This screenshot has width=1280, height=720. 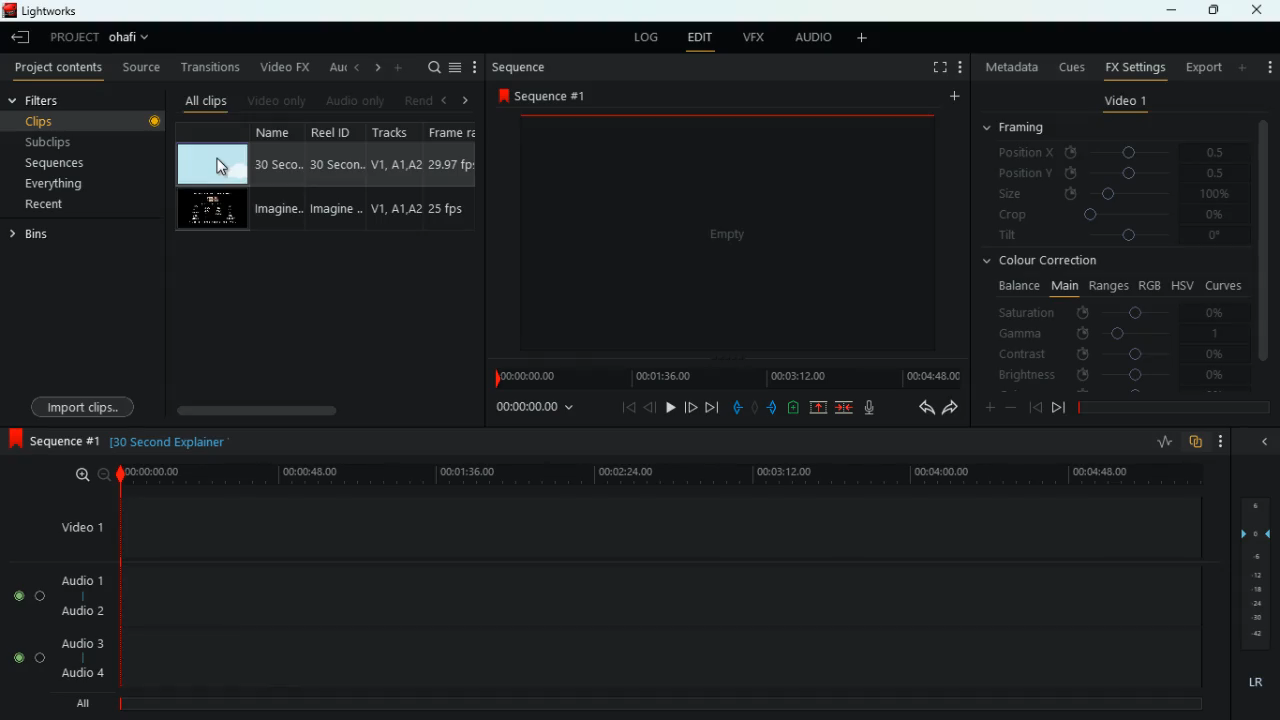 What do you see at coordinates (863, 39) in the screenshot?
I see `add` at bounding box center [863, 39].